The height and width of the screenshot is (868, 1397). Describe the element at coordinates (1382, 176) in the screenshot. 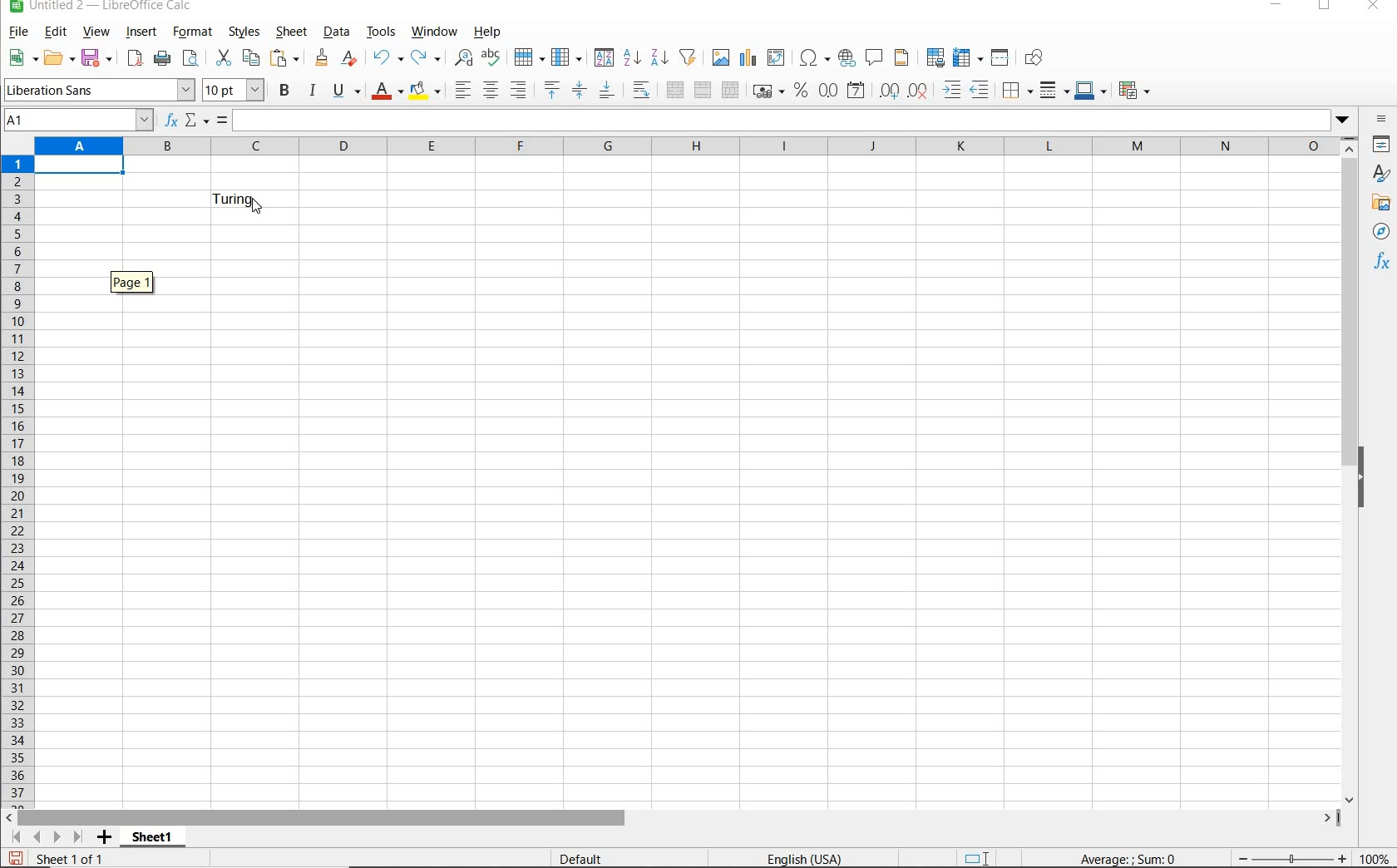

I see `STYLES` at that location.